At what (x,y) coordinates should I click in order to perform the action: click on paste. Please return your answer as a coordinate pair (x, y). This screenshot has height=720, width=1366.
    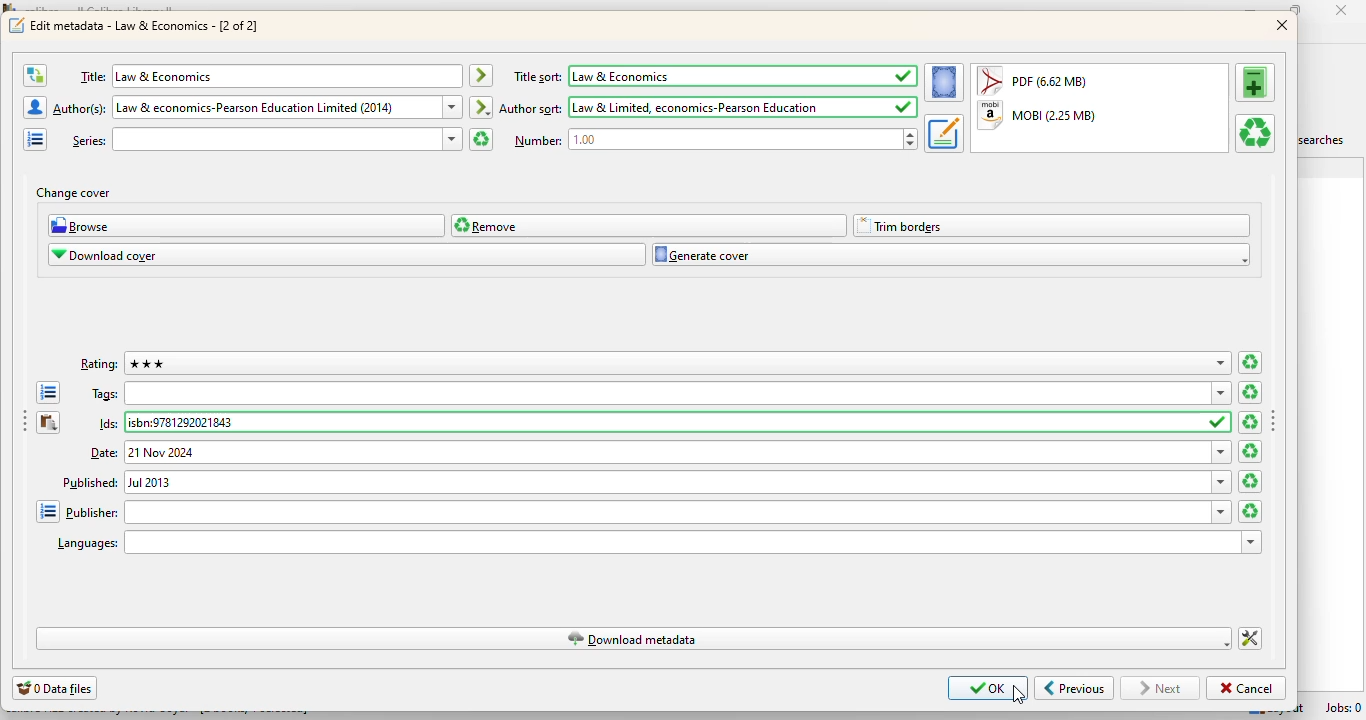
    Looking at the image, I should click on (49, 423).